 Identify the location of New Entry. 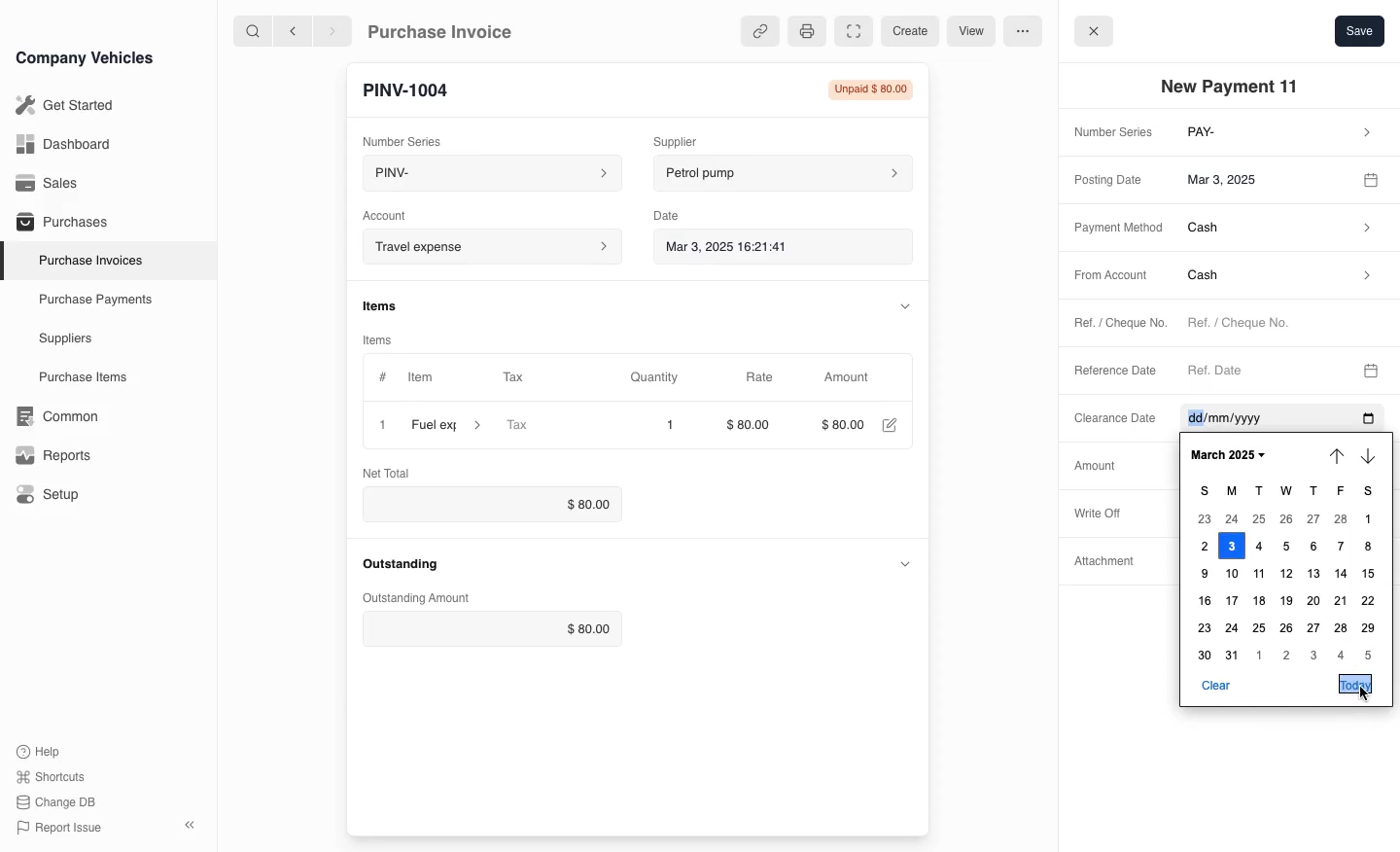
(415, 89).